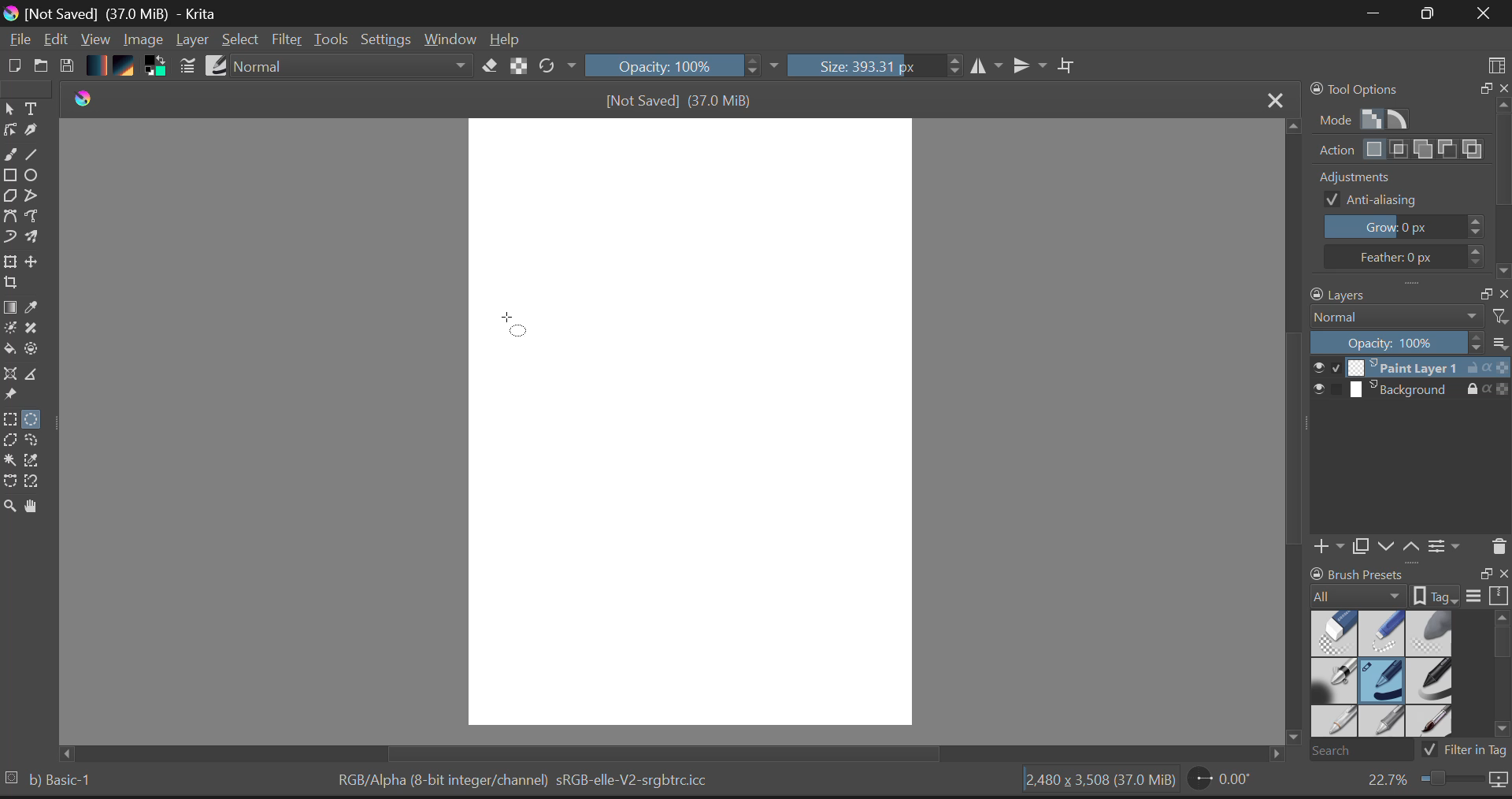  What do you see at coordinates (37, 349) in the screenshot?
I see `Enclose and Fill` at bounding box center [37, 349].